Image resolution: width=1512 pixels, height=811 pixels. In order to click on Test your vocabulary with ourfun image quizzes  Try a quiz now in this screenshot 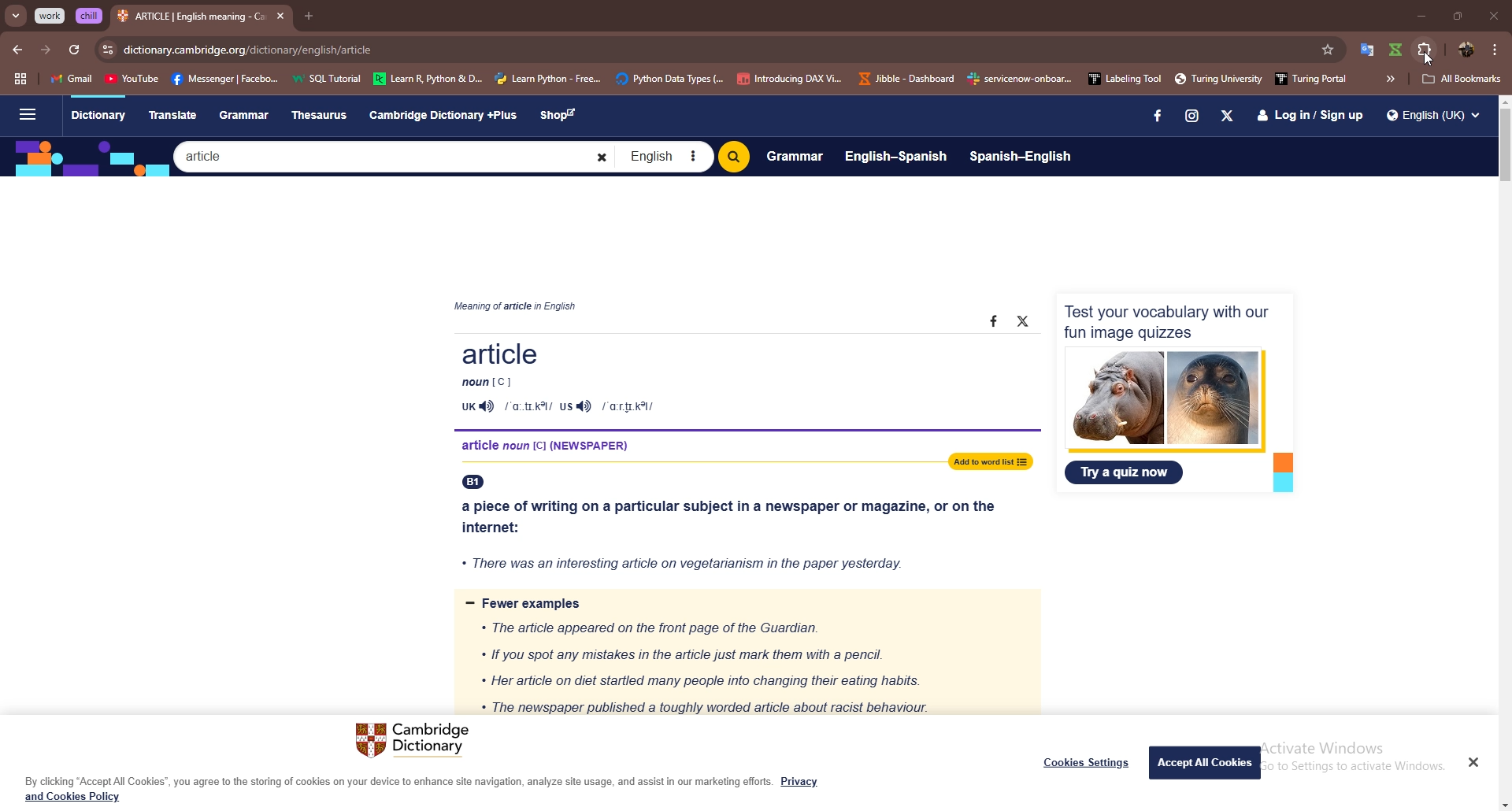, I will do `click(1177, 391)`.